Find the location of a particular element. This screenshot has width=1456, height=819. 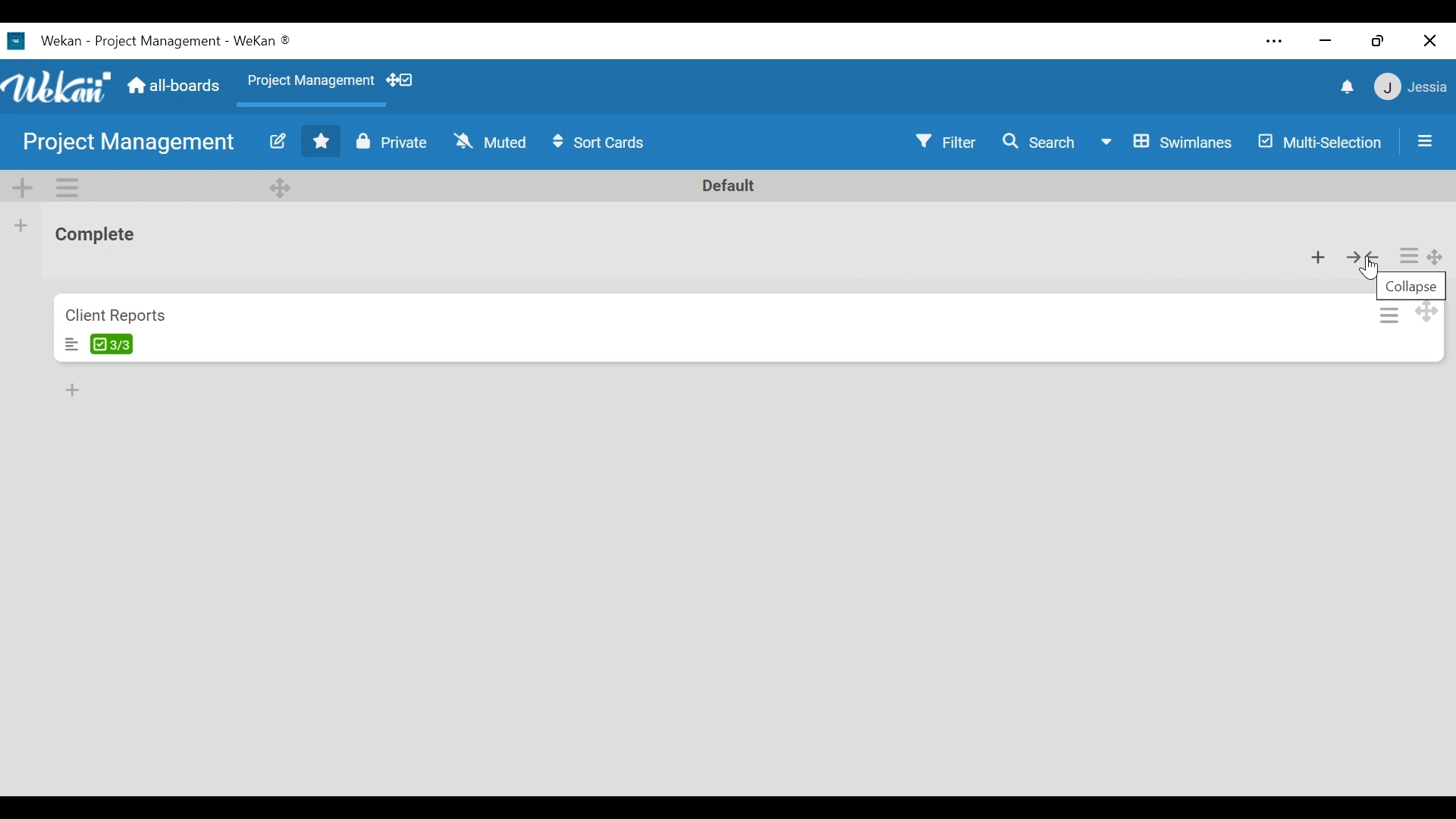

Member is located at coordinates (1411, 87).